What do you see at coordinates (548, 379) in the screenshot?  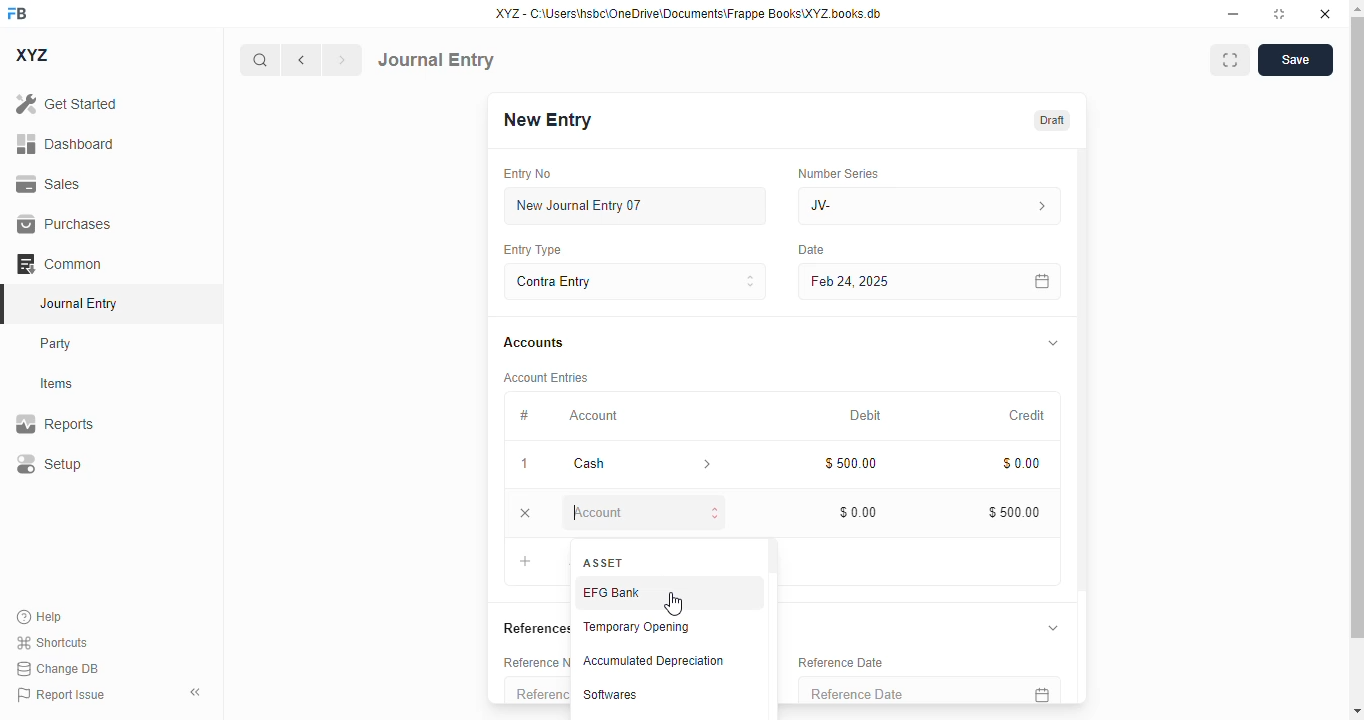 I see `account entries` at bounding box center [548, 379].